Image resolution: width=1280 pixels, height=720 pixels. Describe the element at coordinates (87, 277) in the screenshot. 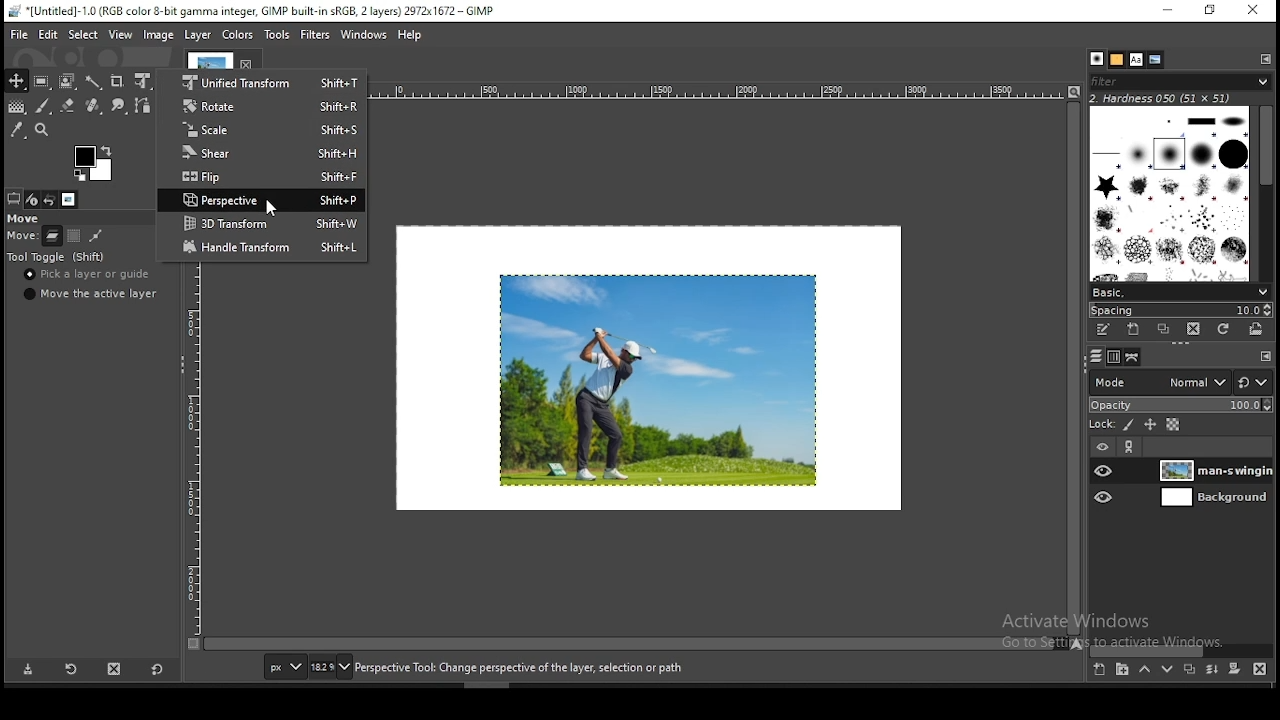

I see `pick a layer or guide` at that location.